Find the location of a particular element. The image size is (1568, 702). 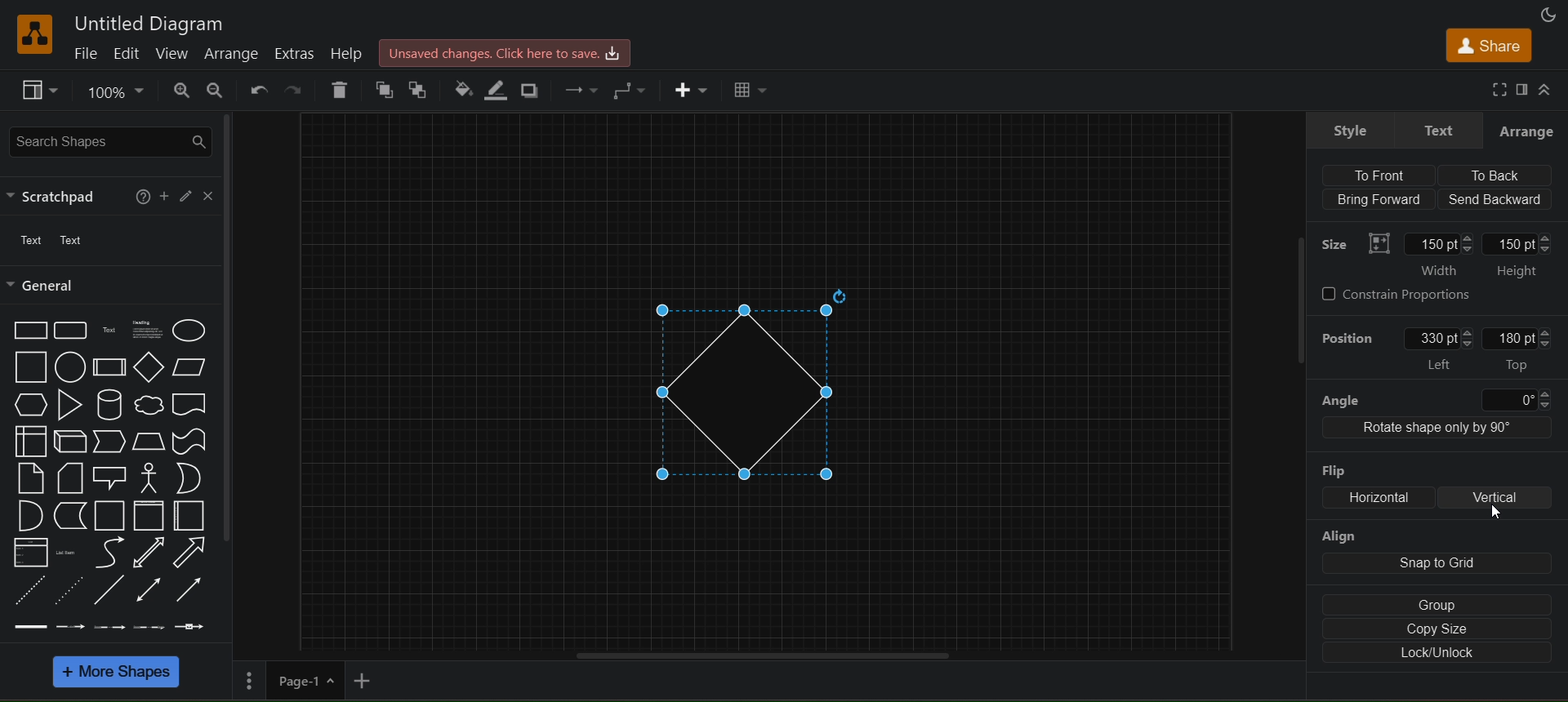

container is located at coordinates (106, 515).